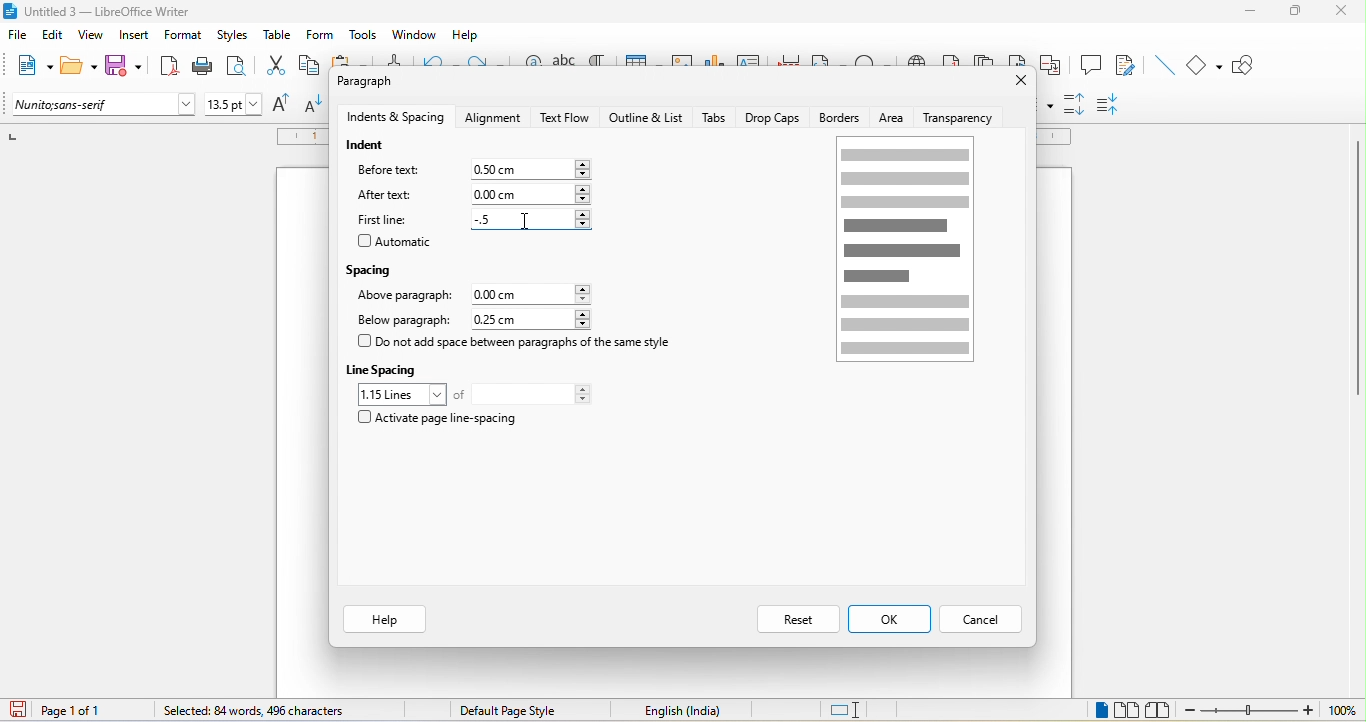 Image resolution: width=1366 pixels, height=722 pixels. Describe the element at coordinates (582, 319) in the screenshot. I see `increase or decrease` at that location.